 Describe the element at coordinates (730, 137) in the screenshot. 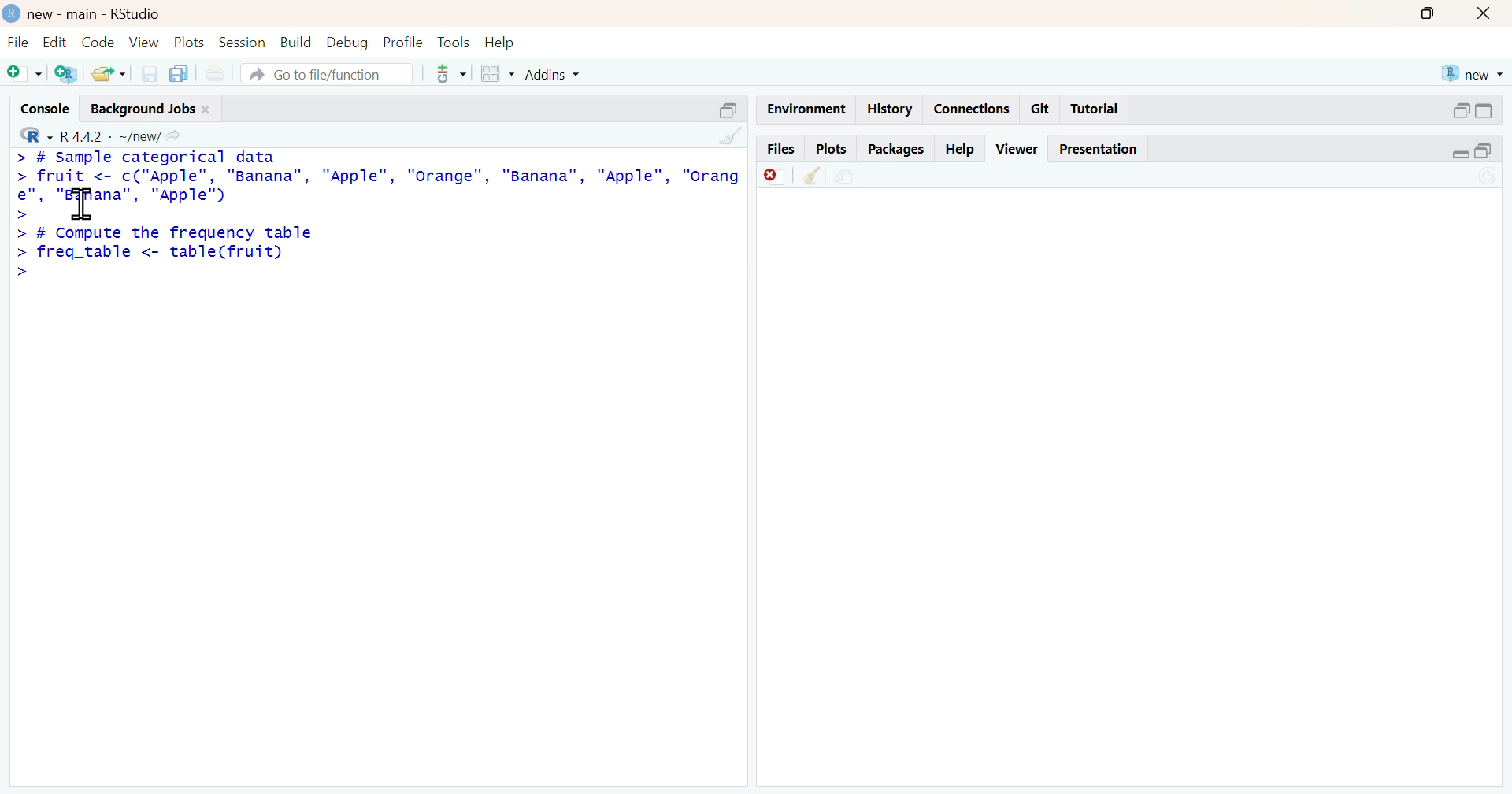

I see `clear console` at that location.